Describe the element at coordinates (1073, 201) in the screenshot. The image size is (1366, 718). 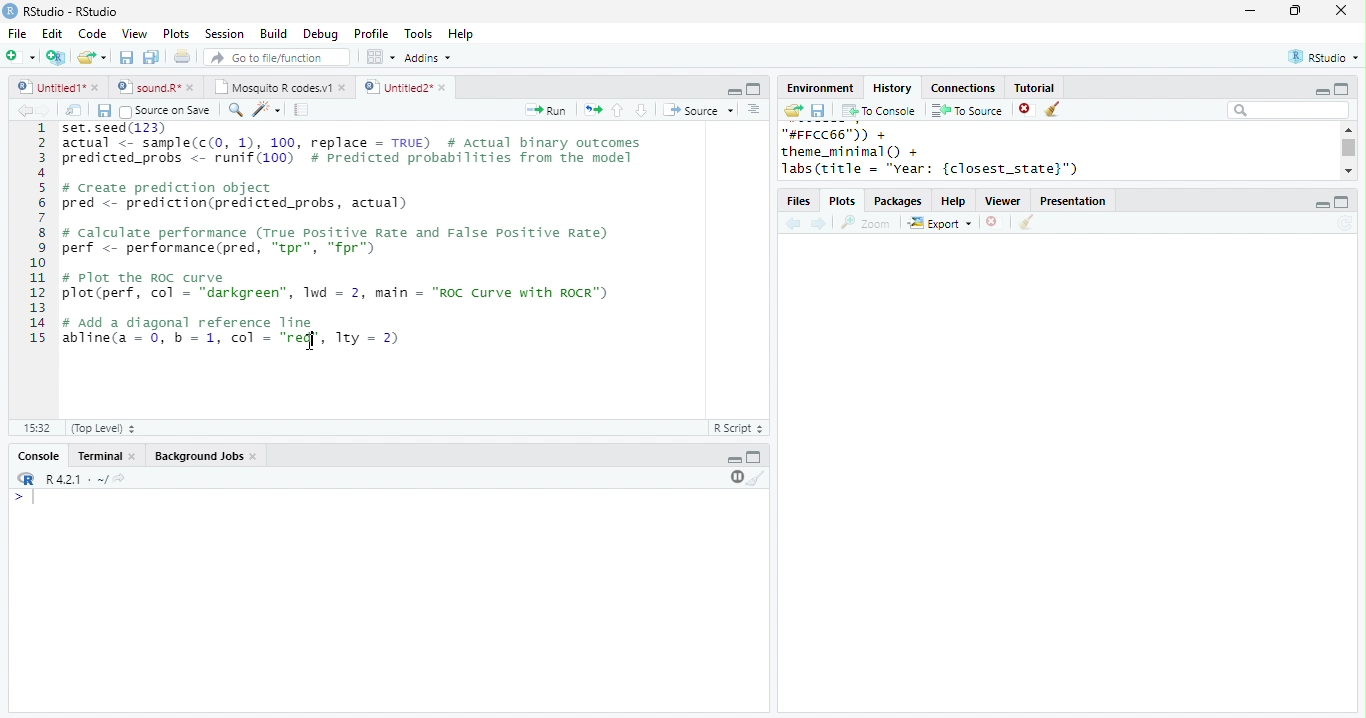
I see `Presentation` at that location.